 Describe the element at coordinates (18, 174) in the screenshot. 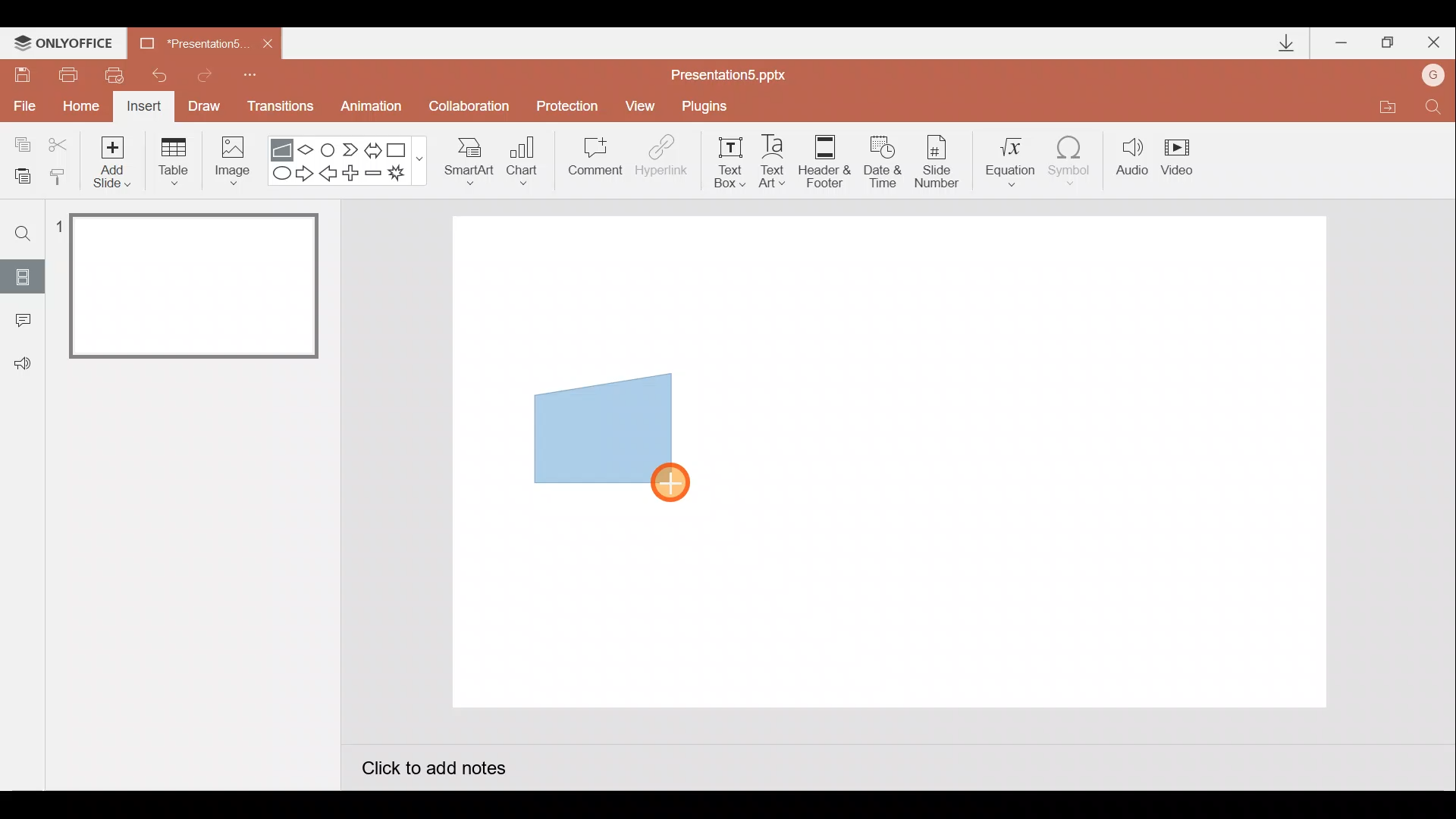

I see `Paste` at that location.